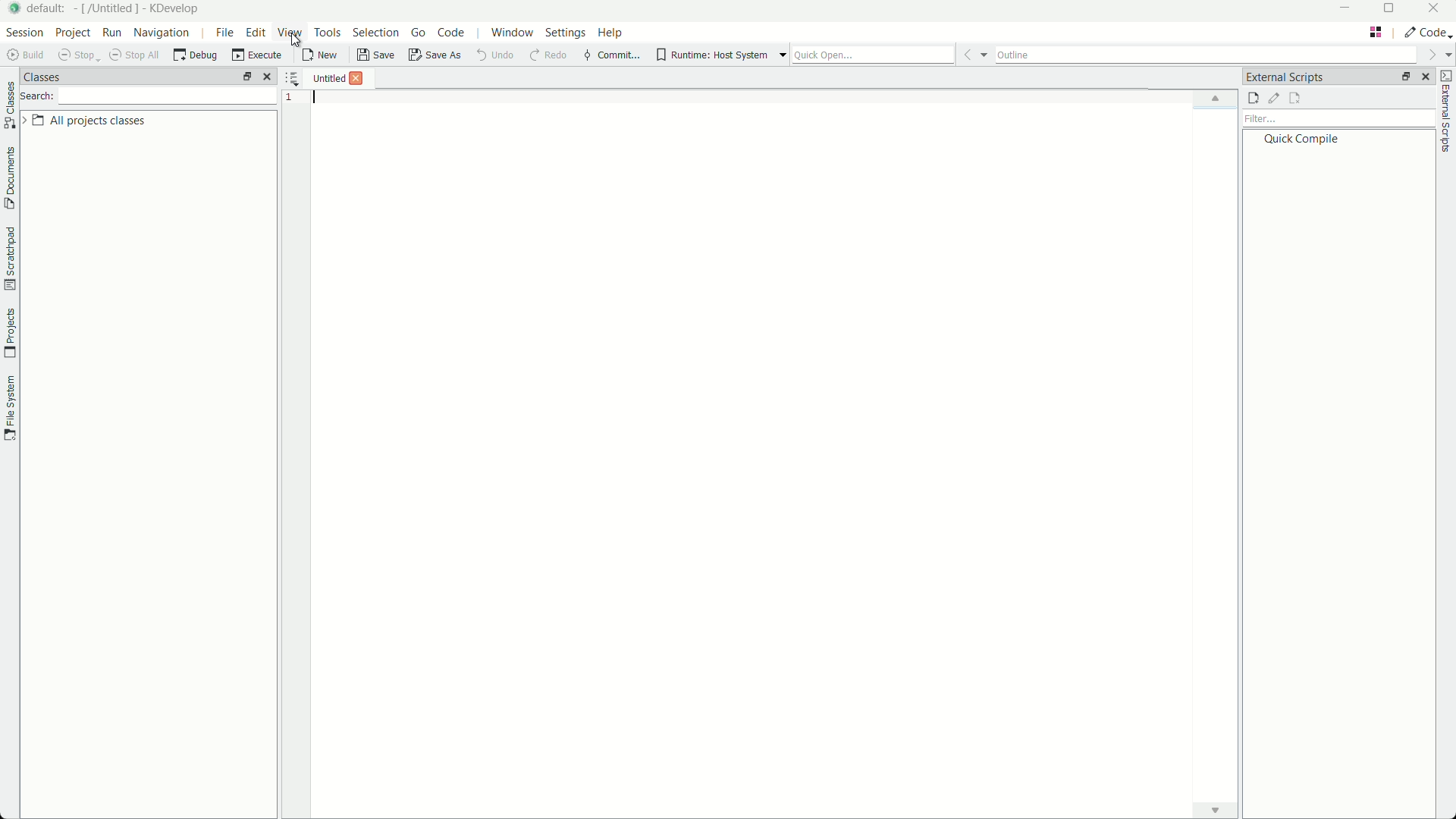 This screenshot has height=819, width=1456. What do you see at coordinates (11, 104) in the screenshot?
I see `classes` at bounding box center [11, 104].